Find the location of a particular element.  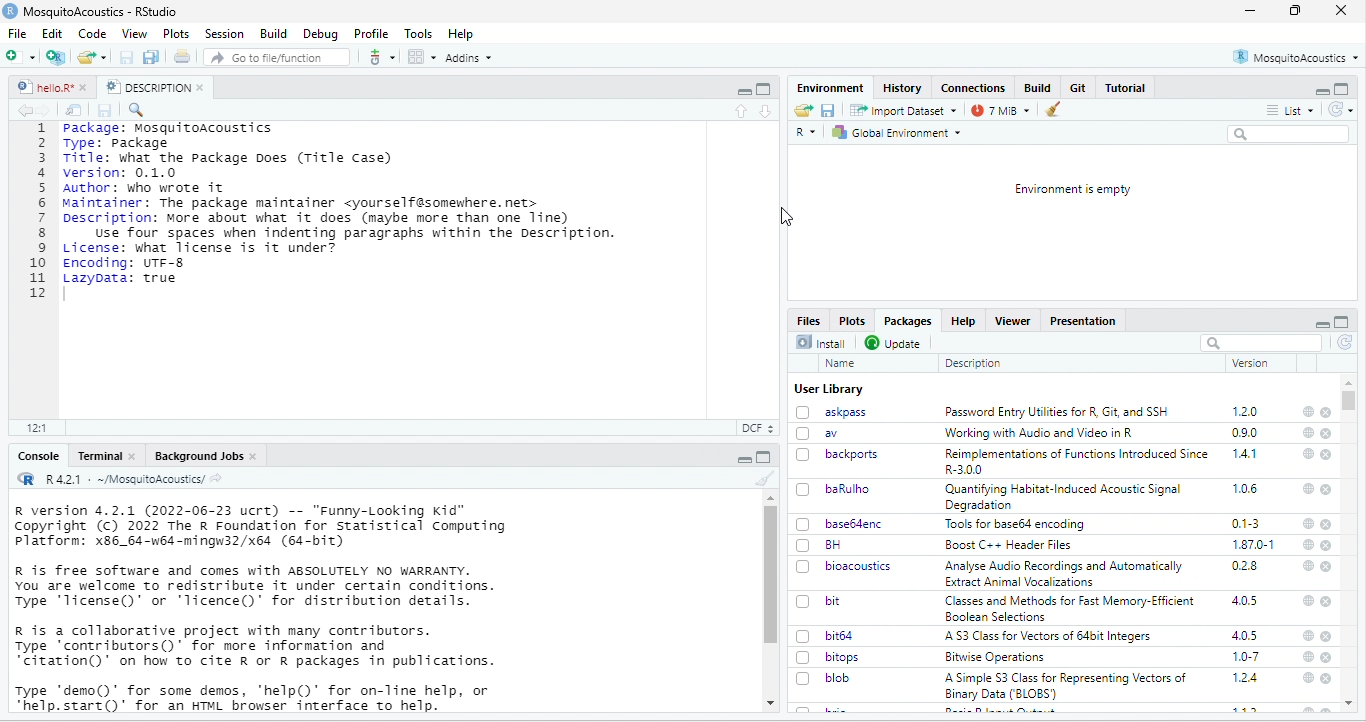

Bitwise Operations is located at coordinates (993, 658).